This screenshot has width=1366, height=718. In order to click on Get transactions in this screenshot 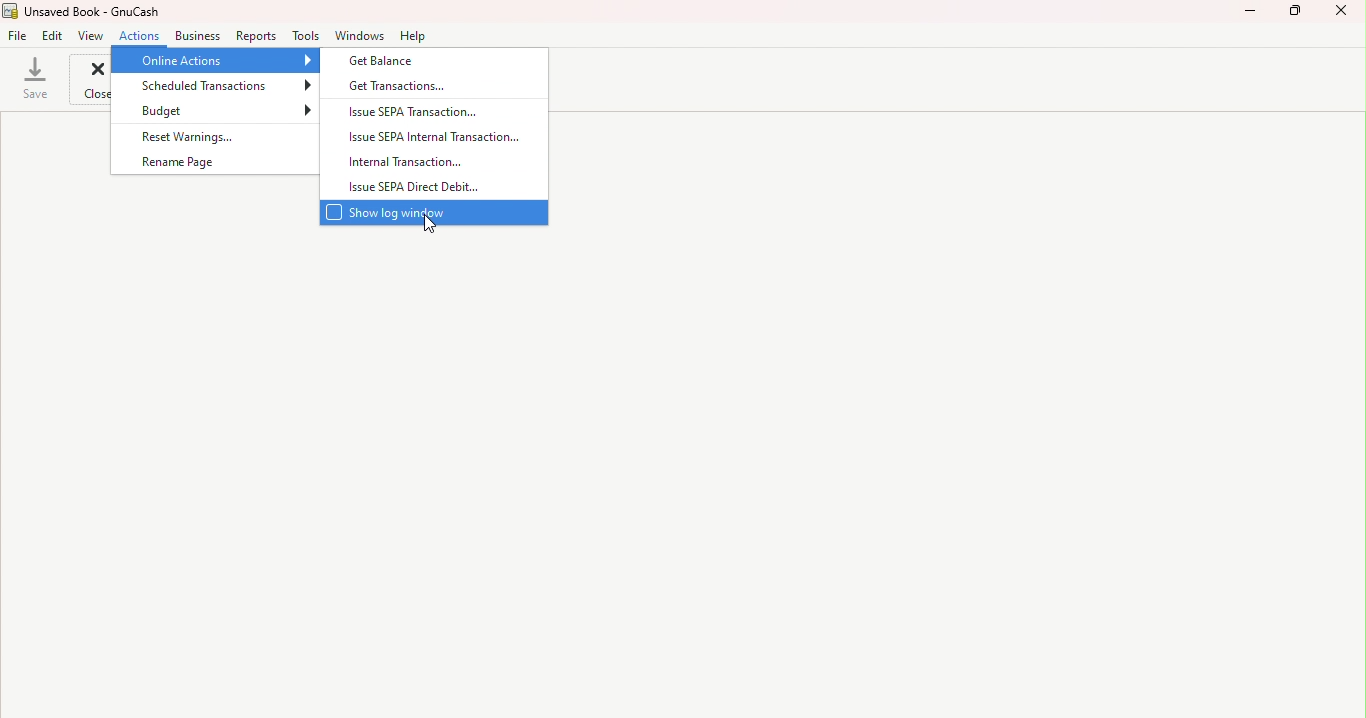, I will do `click(441, 88)`.